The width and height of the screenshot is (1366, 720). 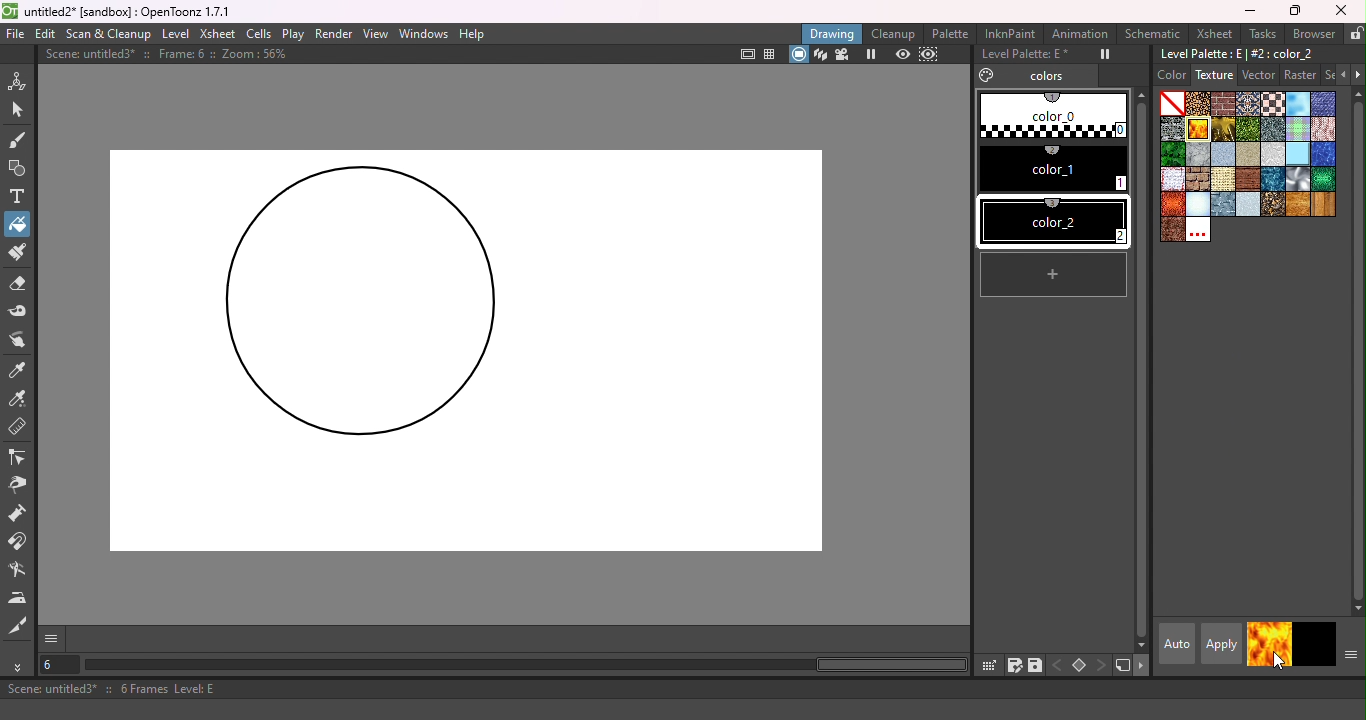 What do you see at coordinates (1273, 104) in the screenshot?
I see `Chessboard.bmp` at bounding box center [1273, 104].